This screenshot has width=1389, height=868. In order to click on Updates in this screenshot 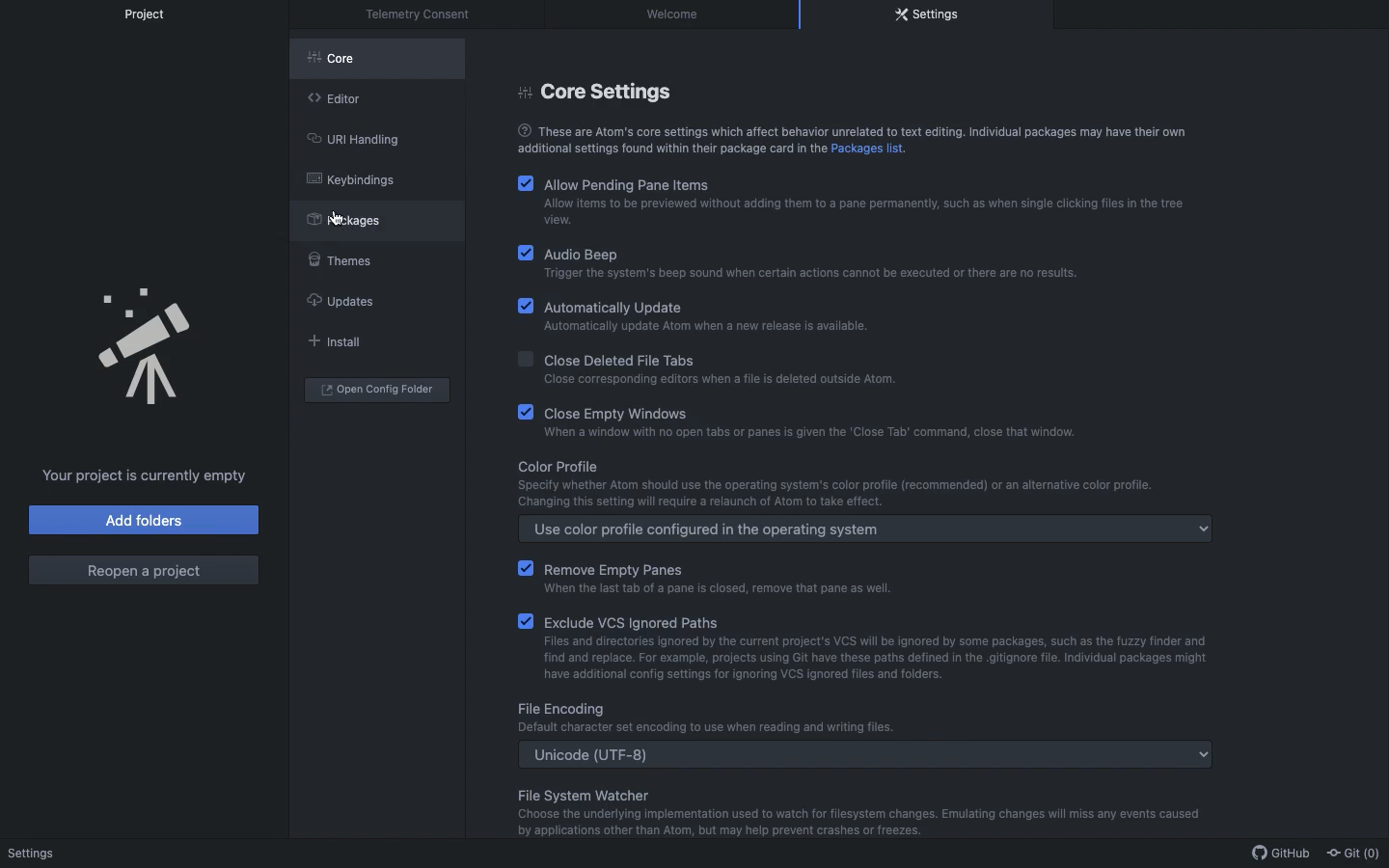, I will do `click(339, 301)`.